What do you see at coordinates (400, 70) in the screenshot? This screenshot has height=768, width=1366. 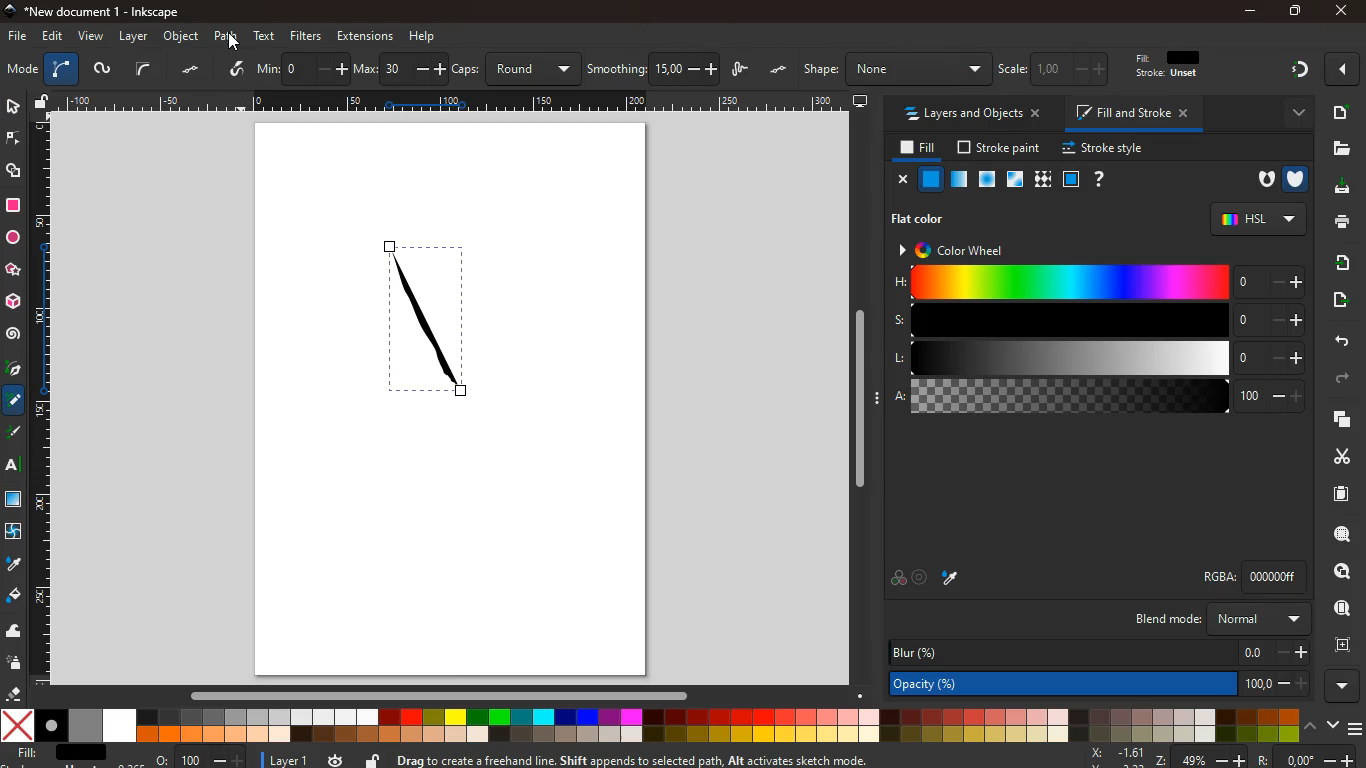 I see `max` at bounding box center [400, 70].